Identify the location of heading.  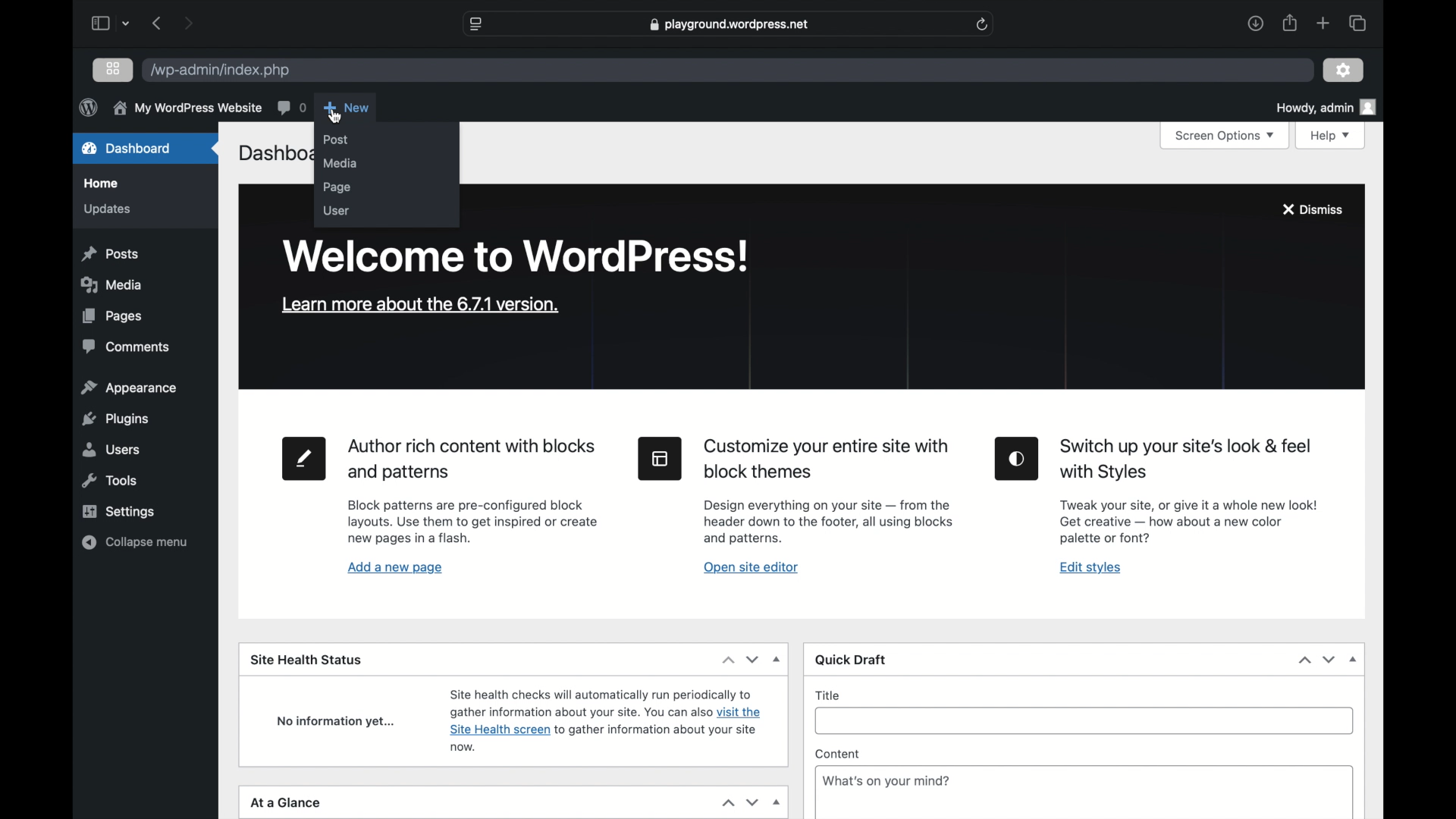
(470, 460).